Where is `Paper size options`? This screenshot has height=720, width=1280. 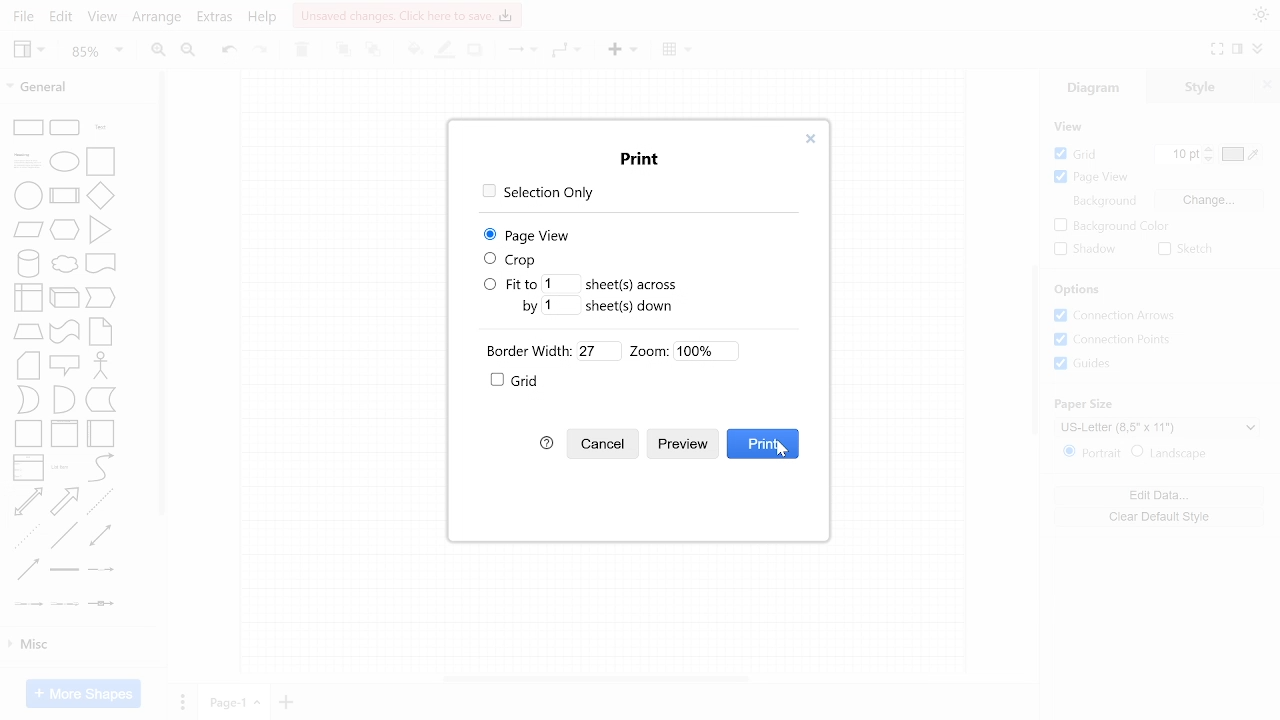 Paper size options is located at coordinates (1157, 428).